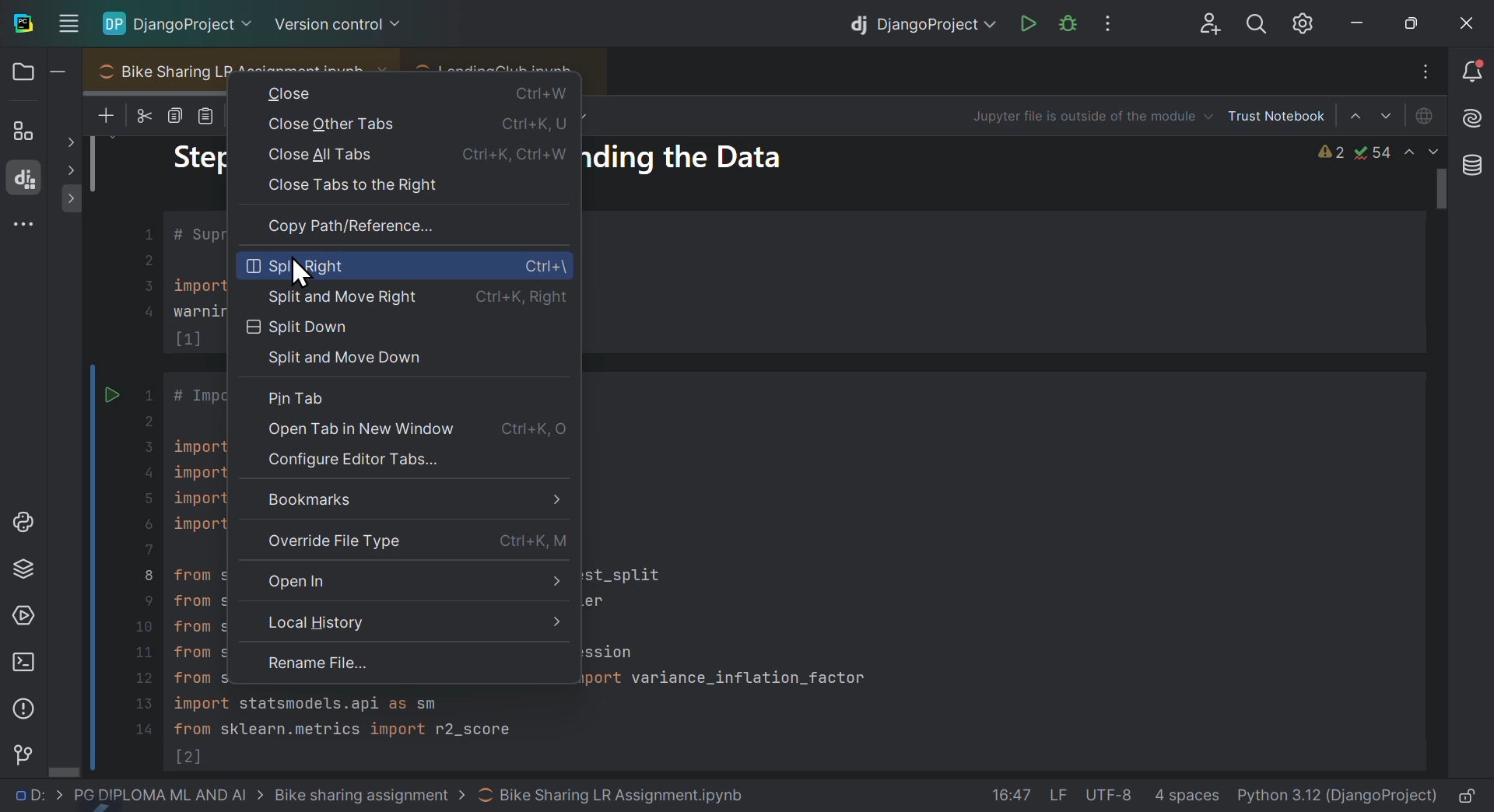 Image resolution: width=1494 pixels, height=812 pixels. What do you see at coordinates (408, 297) in the screenshot?
I see `Split and move right` at bounding box center [408, 297].